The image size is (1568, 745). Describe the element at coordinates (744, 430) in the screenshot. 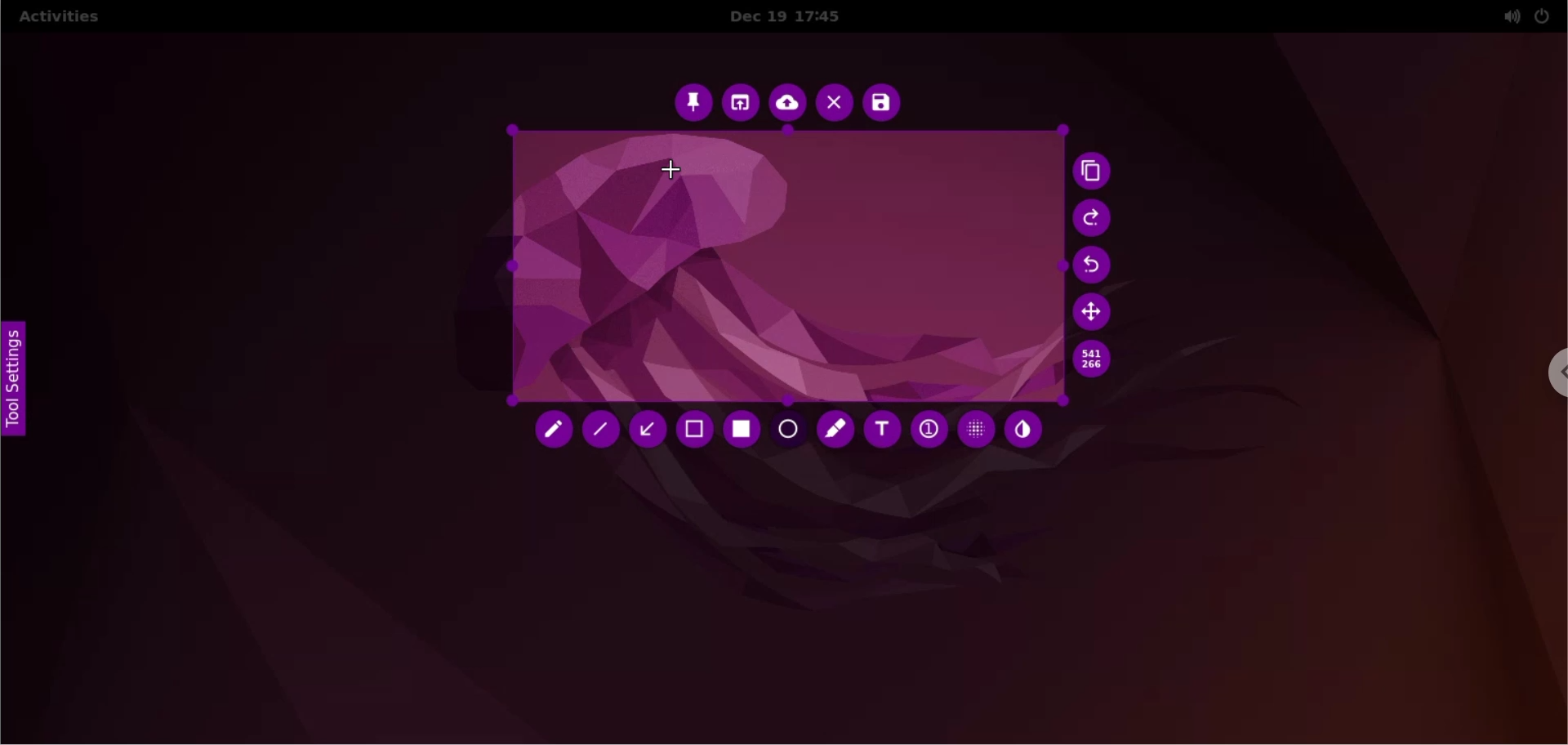

I see `rectangle tool` at that location.